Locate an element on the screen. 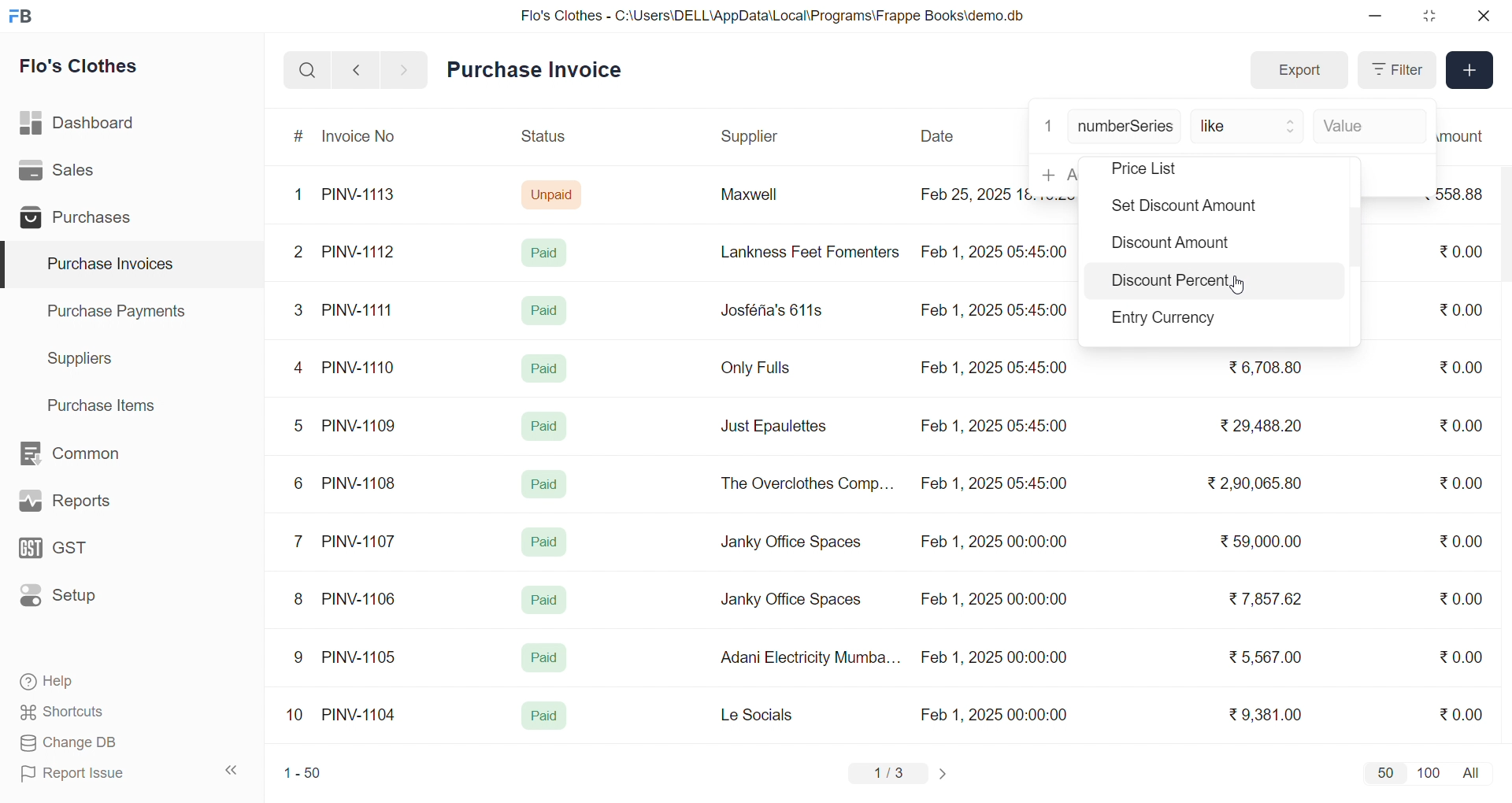 The width and height of the screenshot is (1512, 803). Feb 1, 2025 05:45:00 is located at coordinates (998, 250).